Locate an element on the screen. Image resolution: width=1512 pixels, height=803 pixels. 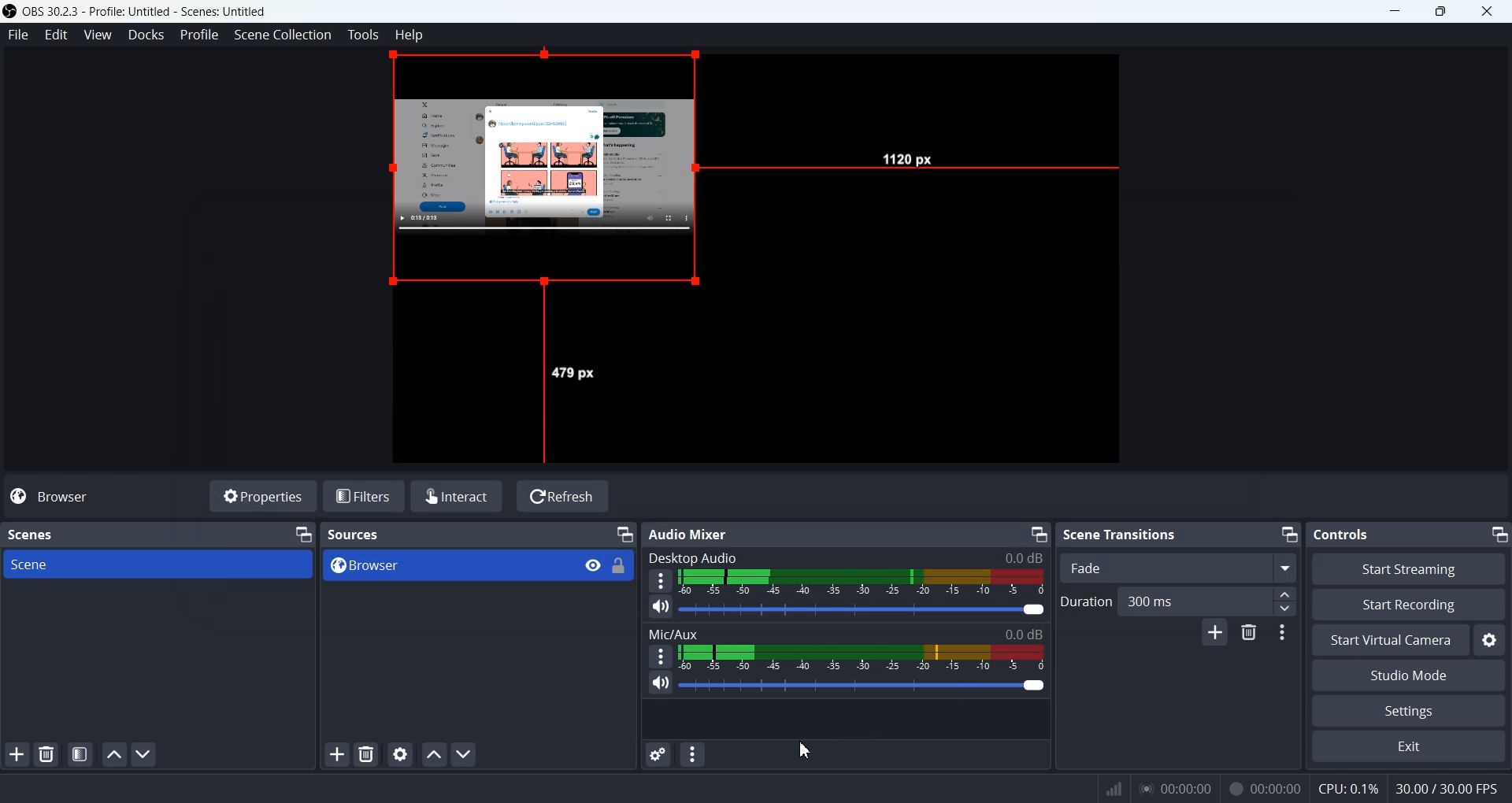
Start Recording is located at coordinates (1408, 604).